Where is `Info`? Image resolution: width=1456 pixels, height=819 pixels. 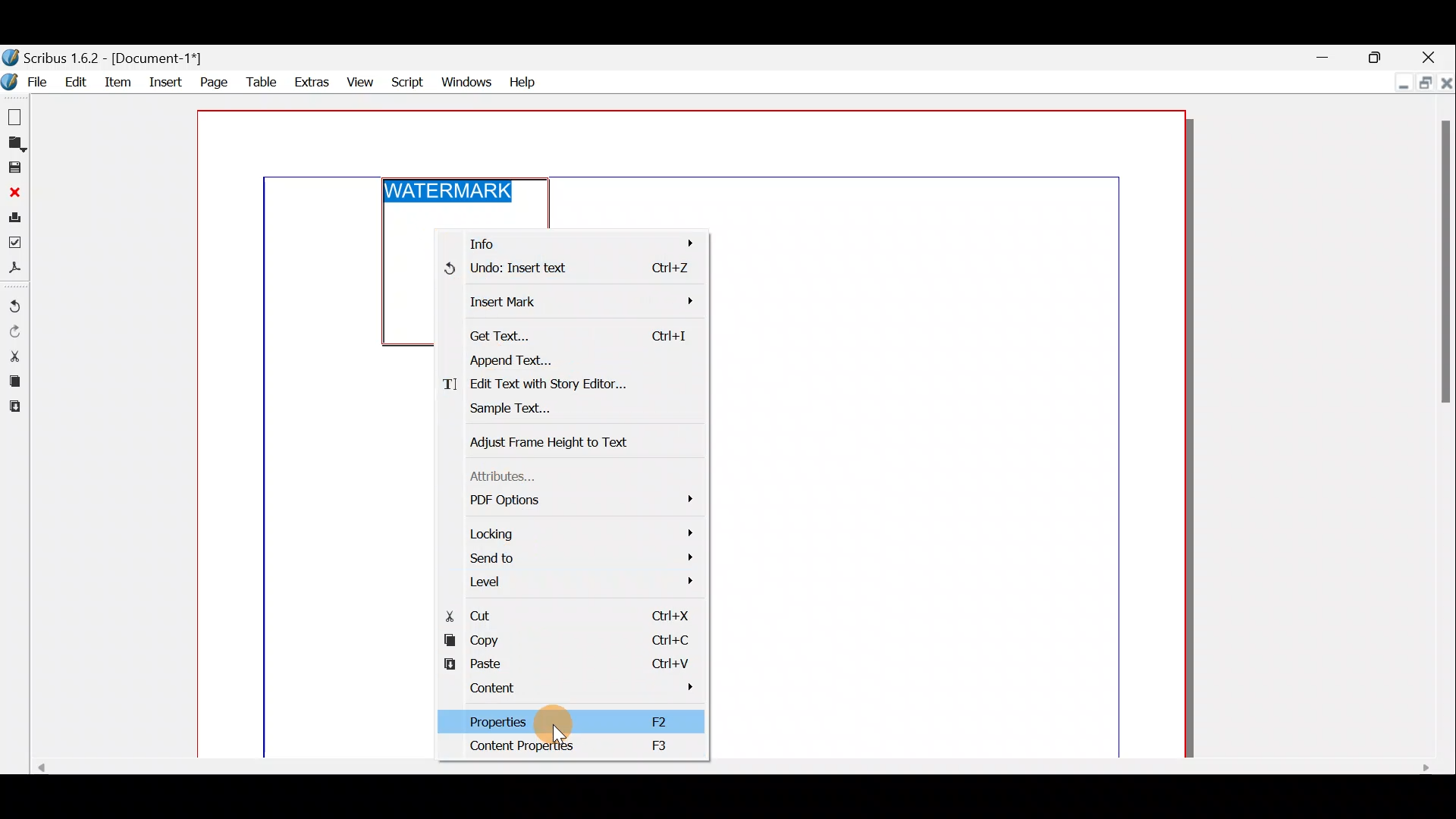 Info is located at coordinates (575, 241).